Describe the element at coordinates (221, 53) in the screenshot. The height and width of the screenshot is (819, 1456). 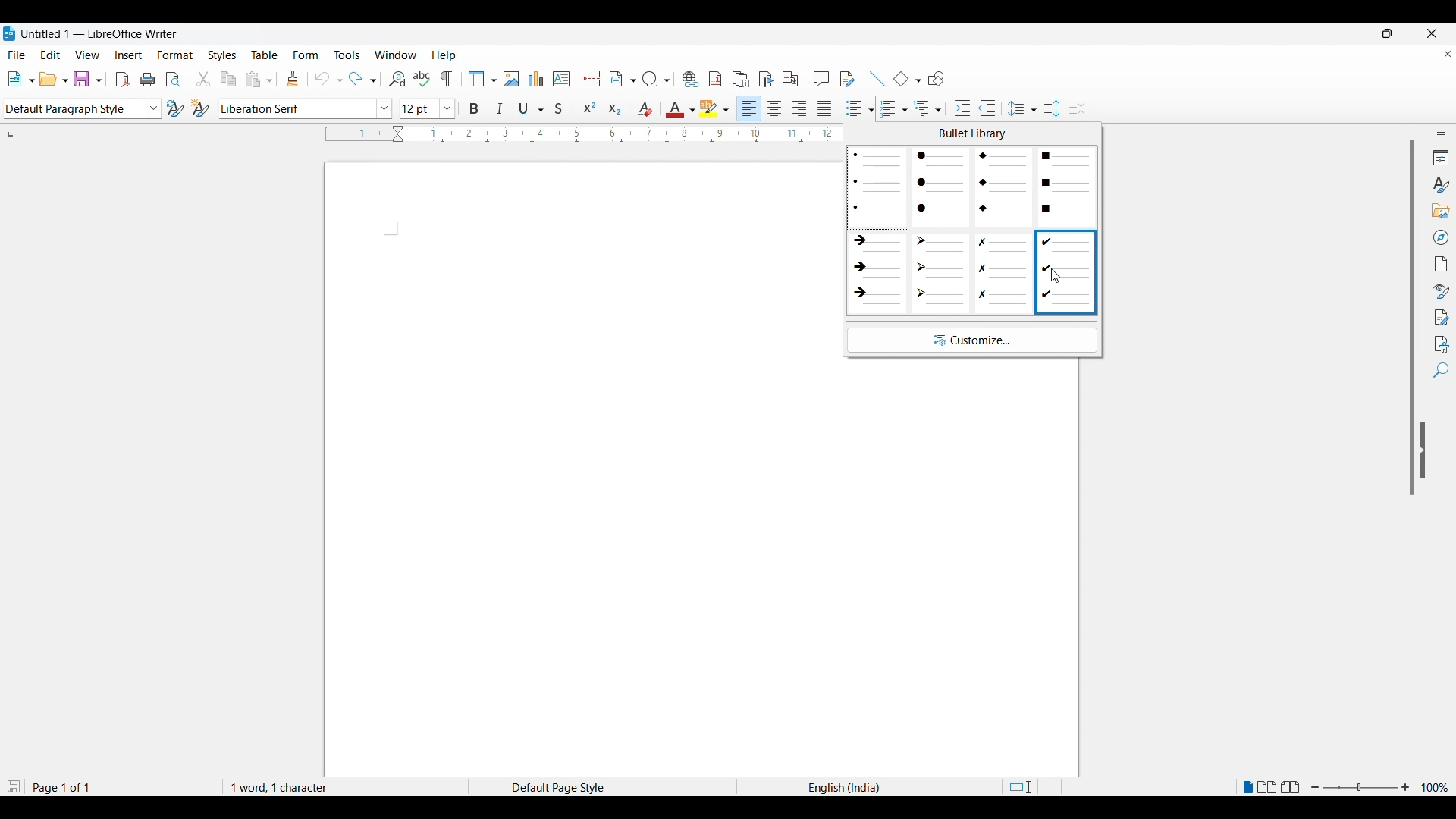
I see `Styles` at that location.